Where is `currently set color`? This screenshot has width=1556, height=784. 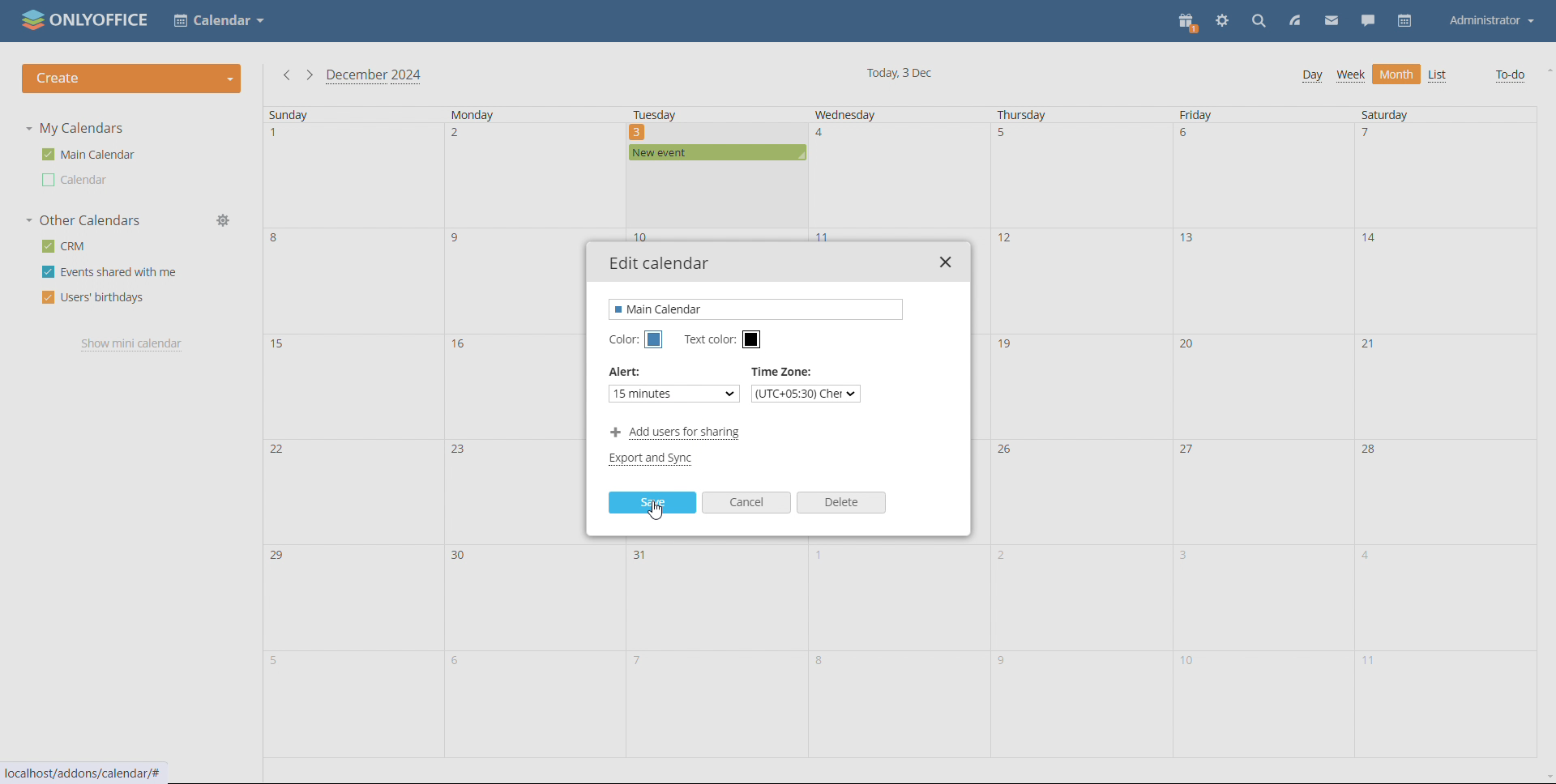
currently set color is located at coordinates (654, 459).